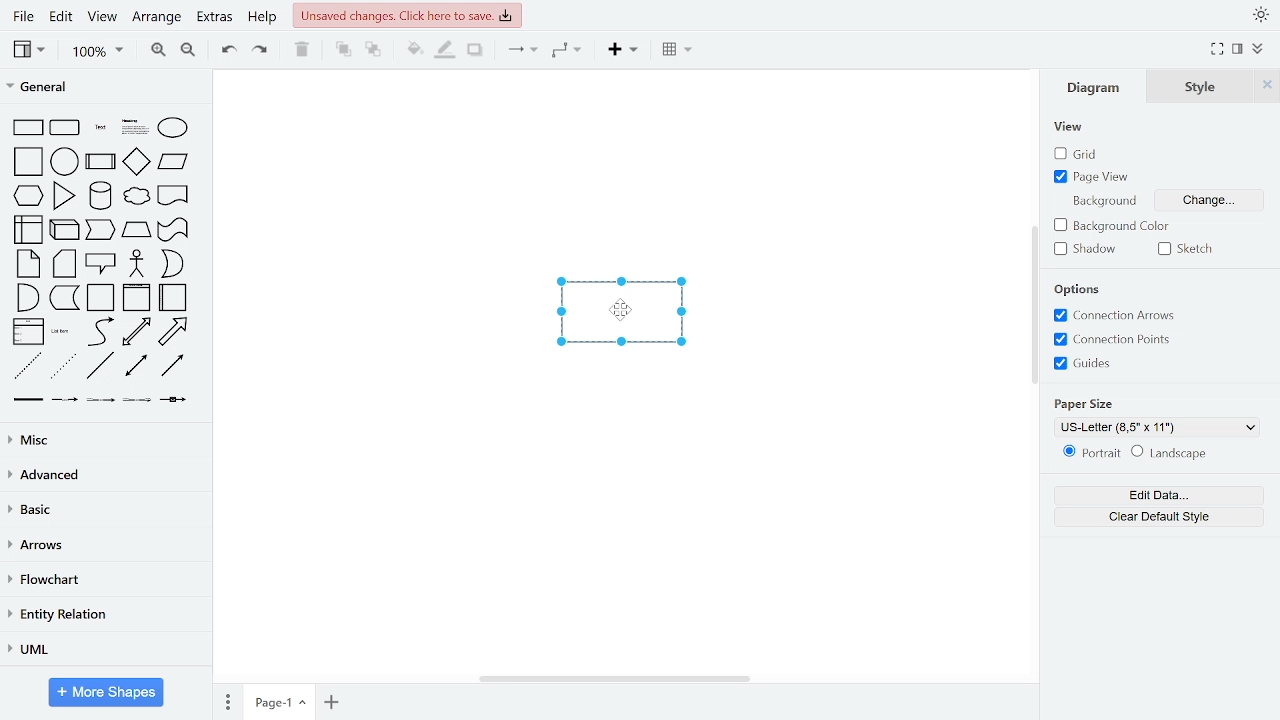 Image resolution: width=1280 pixels, height=720 pixels. What do you see at coordinates (262, 17) in the screenshot?
I see `help` at bounding box center [262, 17].